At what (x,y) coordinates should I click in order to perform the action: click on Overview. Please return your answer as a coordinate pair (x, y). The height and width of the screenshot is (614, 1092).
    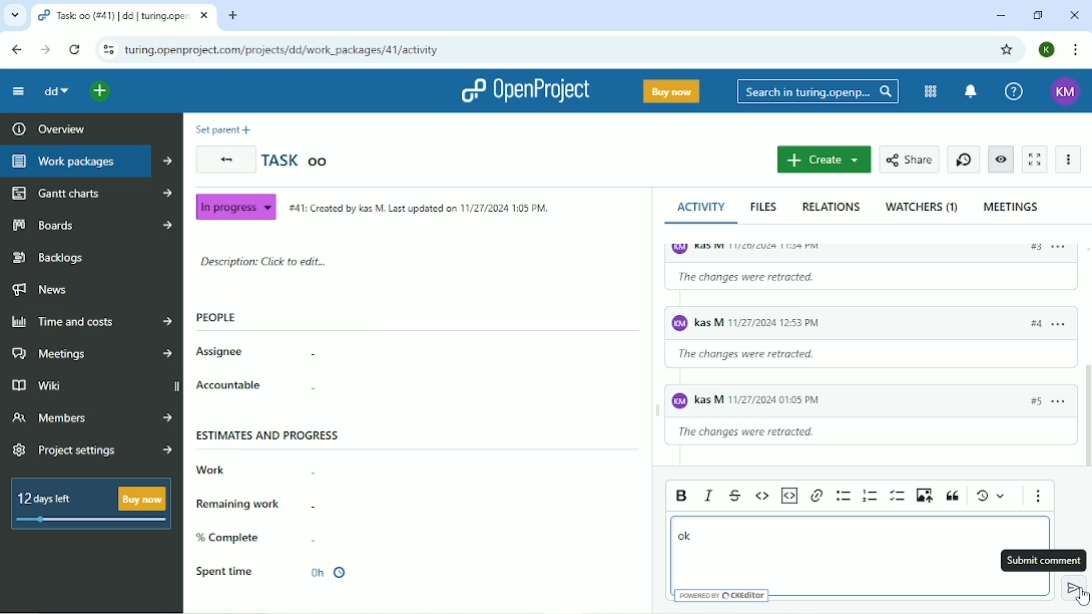
    Looking at the image, I should click on (46, 128).